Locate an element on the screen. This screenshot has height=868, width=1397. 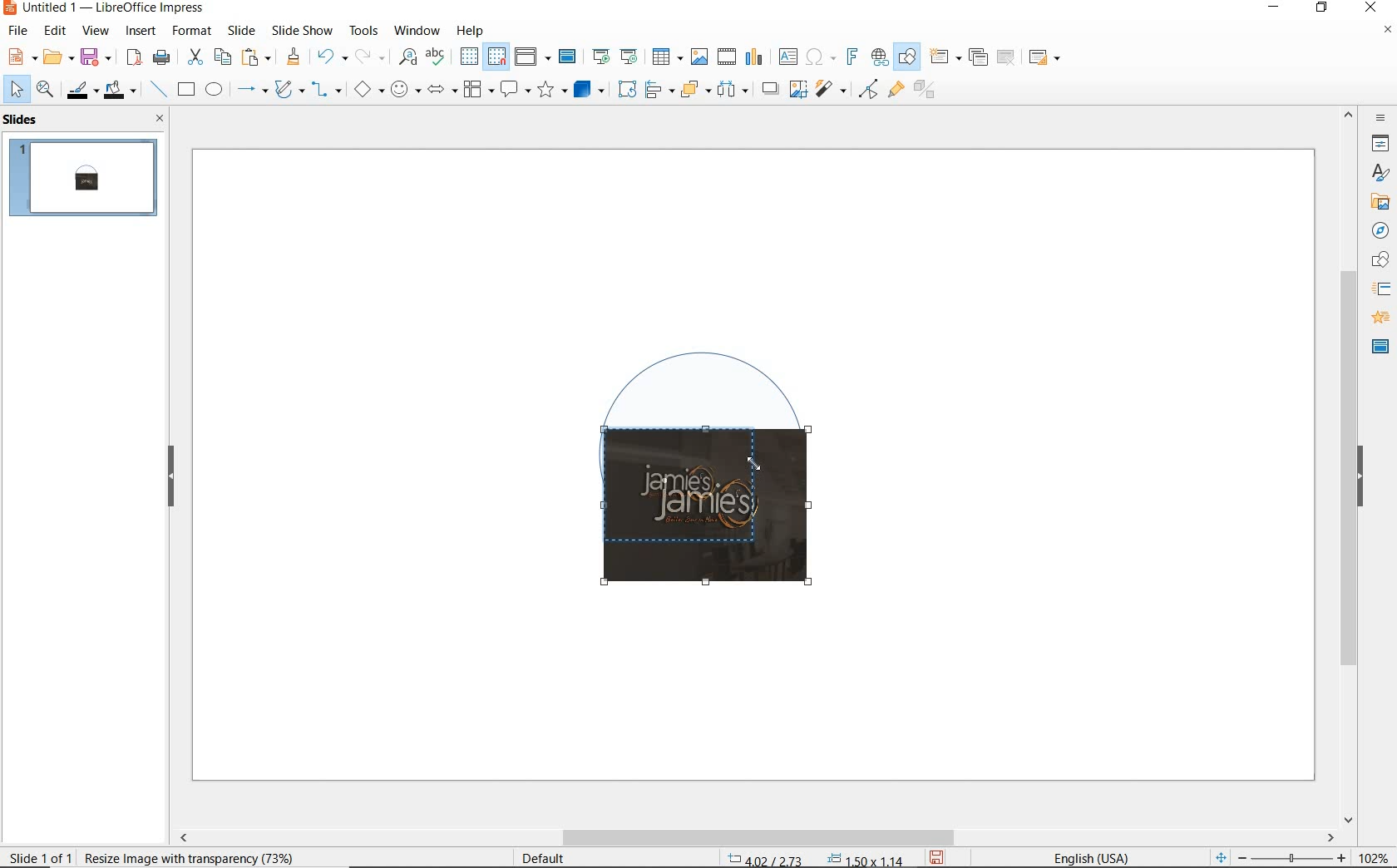
display views is located at coordinates (533, 58).